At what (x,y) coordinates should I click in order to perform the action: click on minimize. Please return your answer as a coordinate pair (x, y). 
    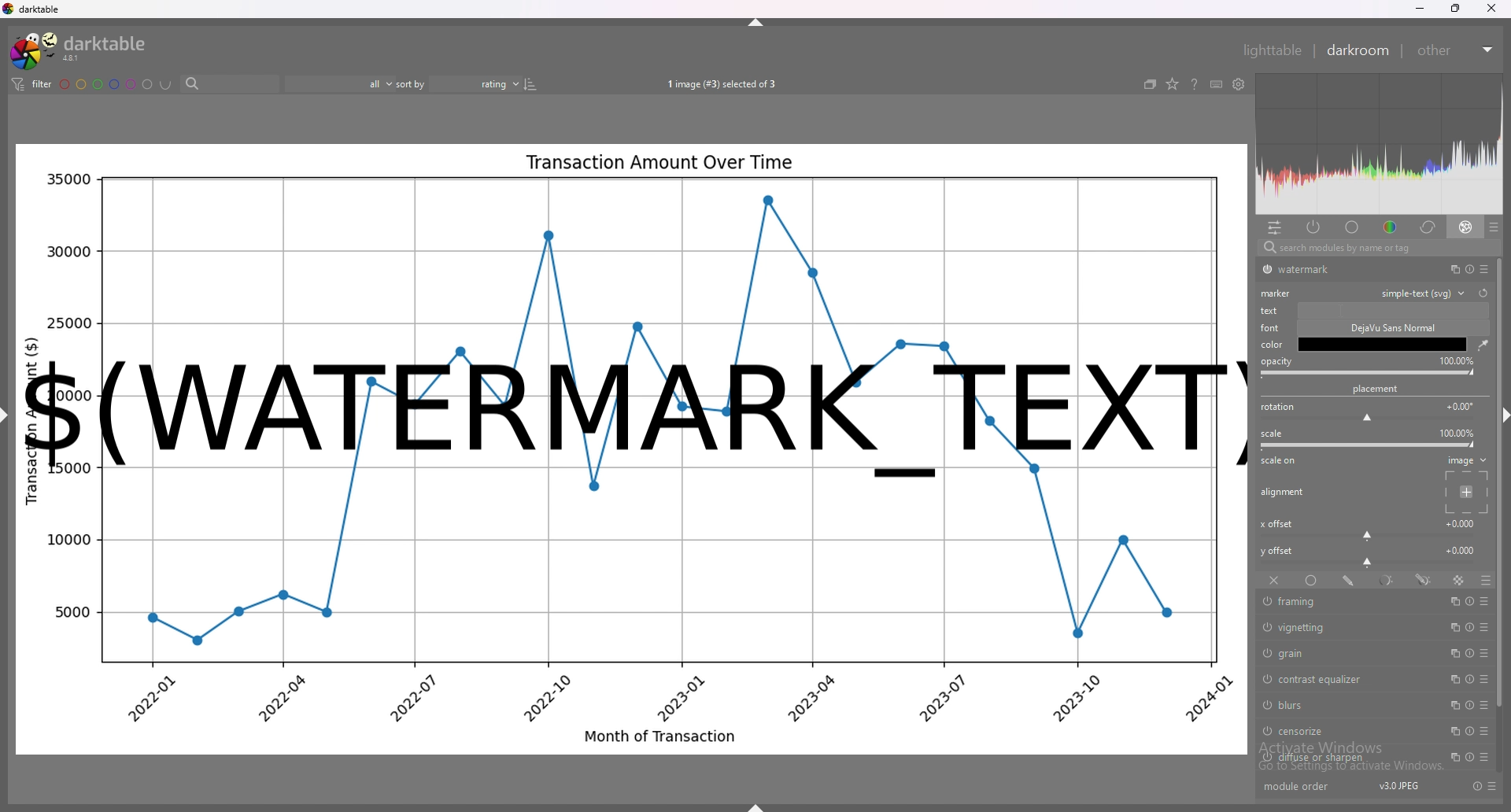
    Looking at the image, I should click on (1419, 9).